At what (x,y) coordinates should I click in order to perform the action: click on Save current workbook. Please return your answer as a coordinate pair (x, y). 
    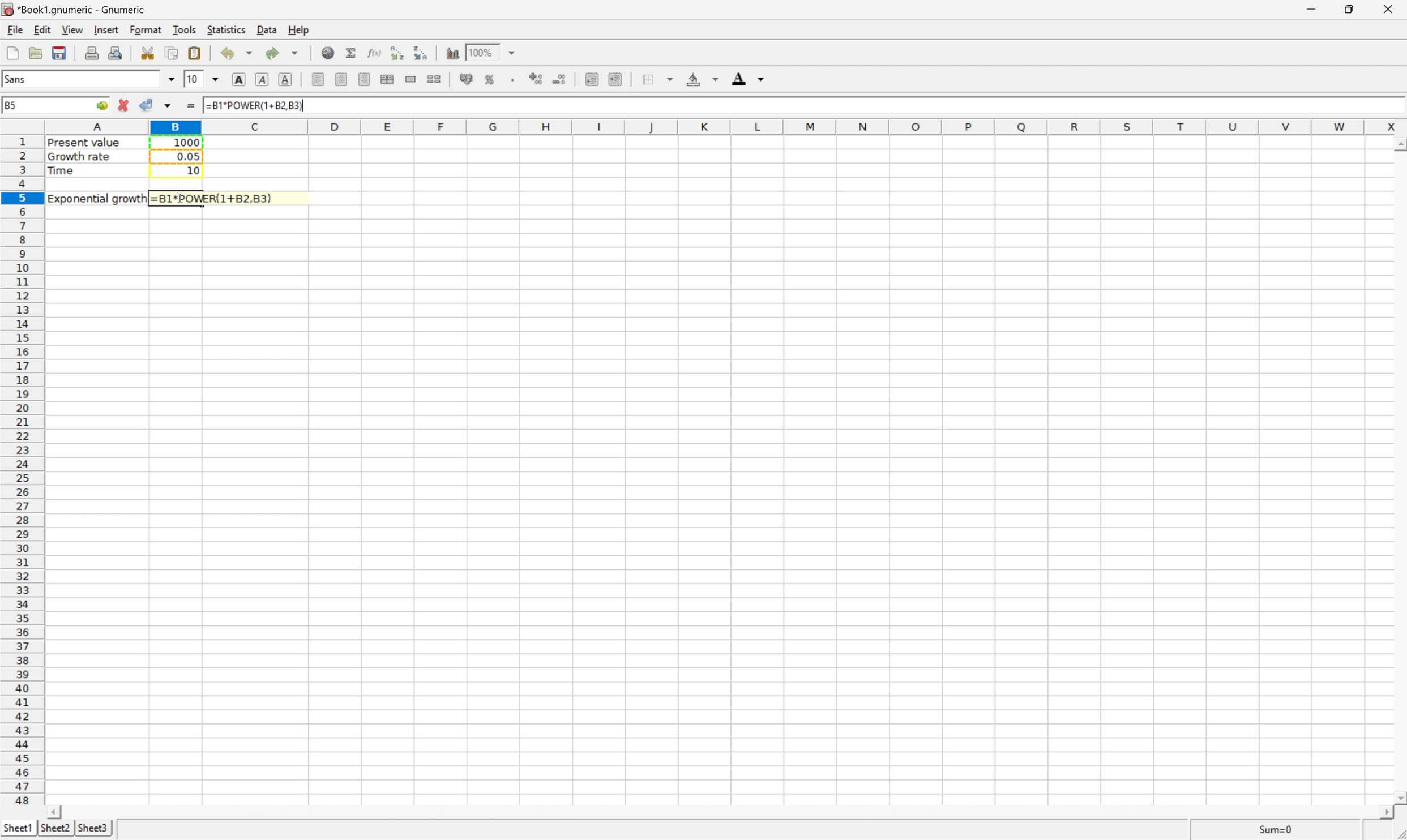
    Looking at the image, I should click on (61, 50).